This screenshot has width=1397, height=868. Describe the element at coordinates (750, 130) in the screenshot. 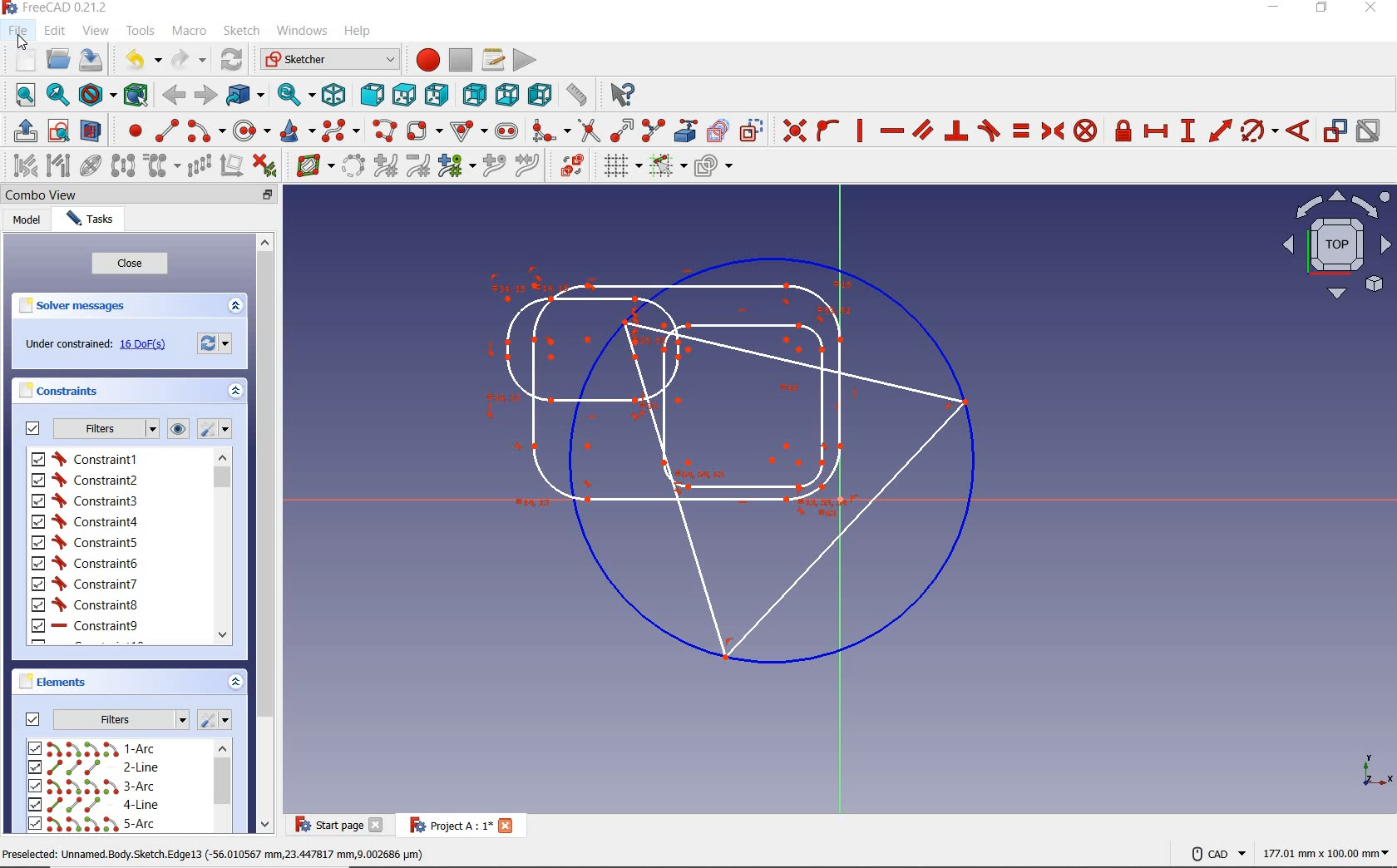

I see `toggle construction geometry` at that location.